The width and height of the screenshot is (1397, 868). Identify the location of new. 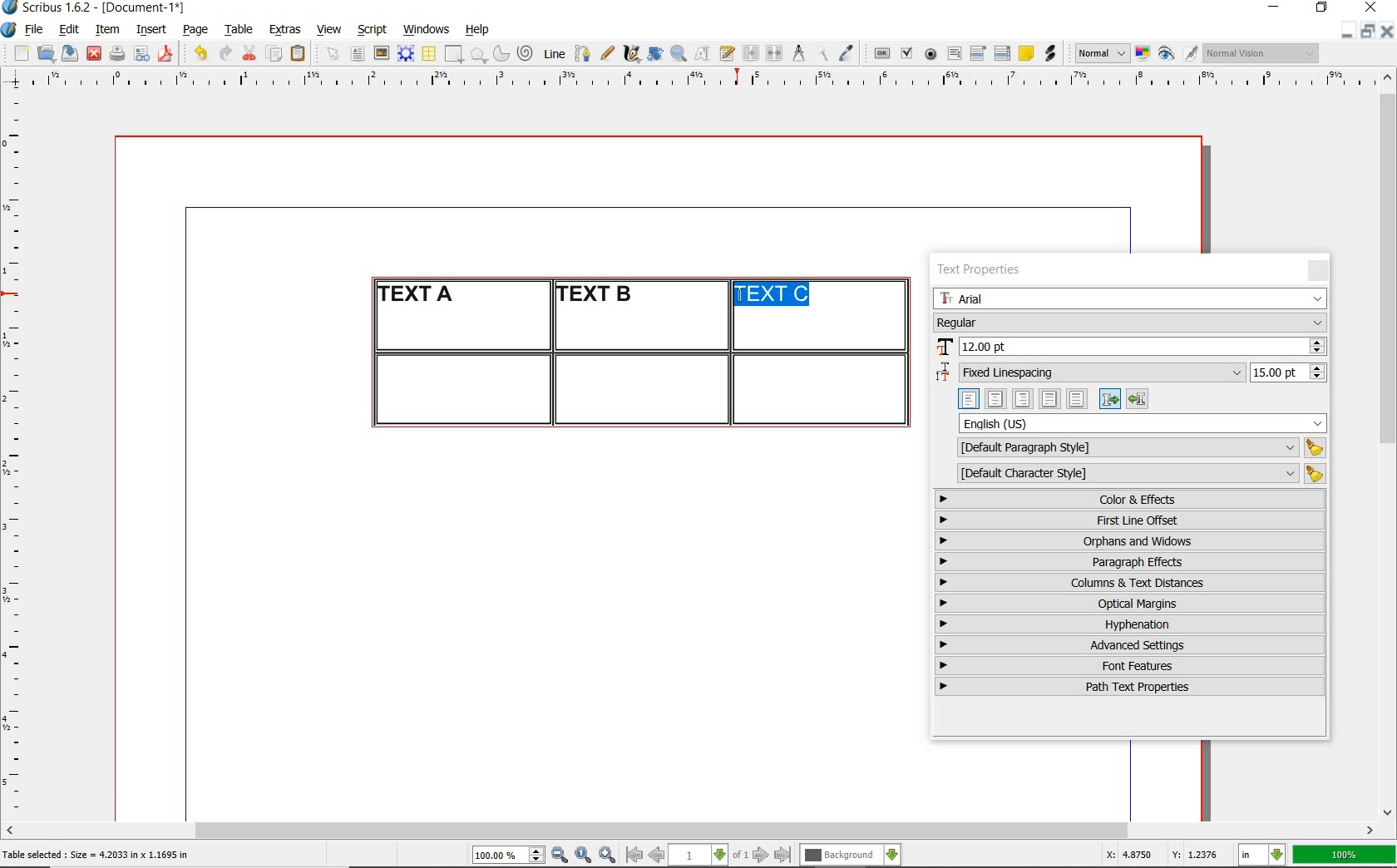
(19, 53).